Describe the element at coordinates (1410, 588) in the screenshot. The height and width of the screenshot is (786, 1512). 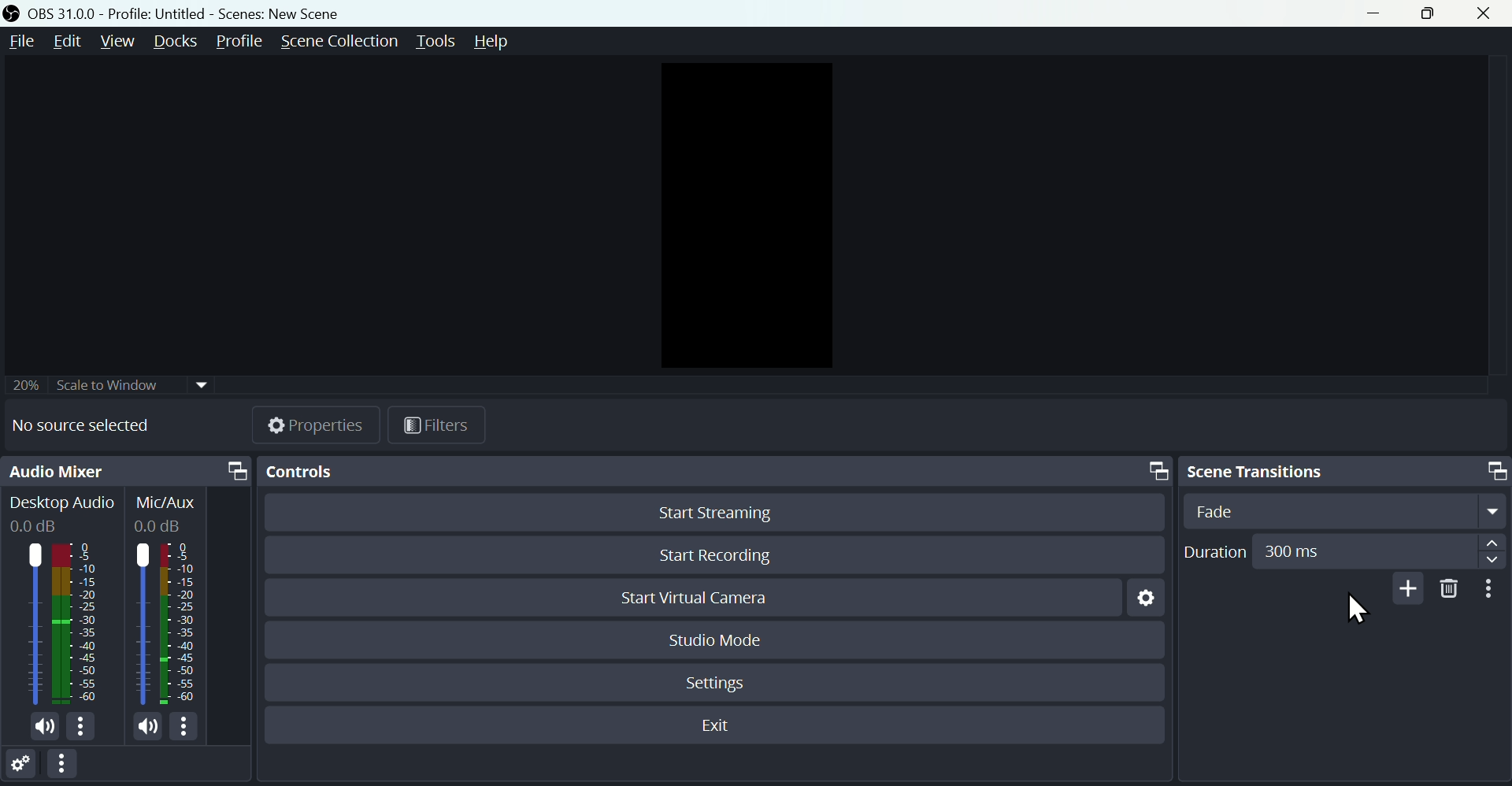
I see `Add` at that location.